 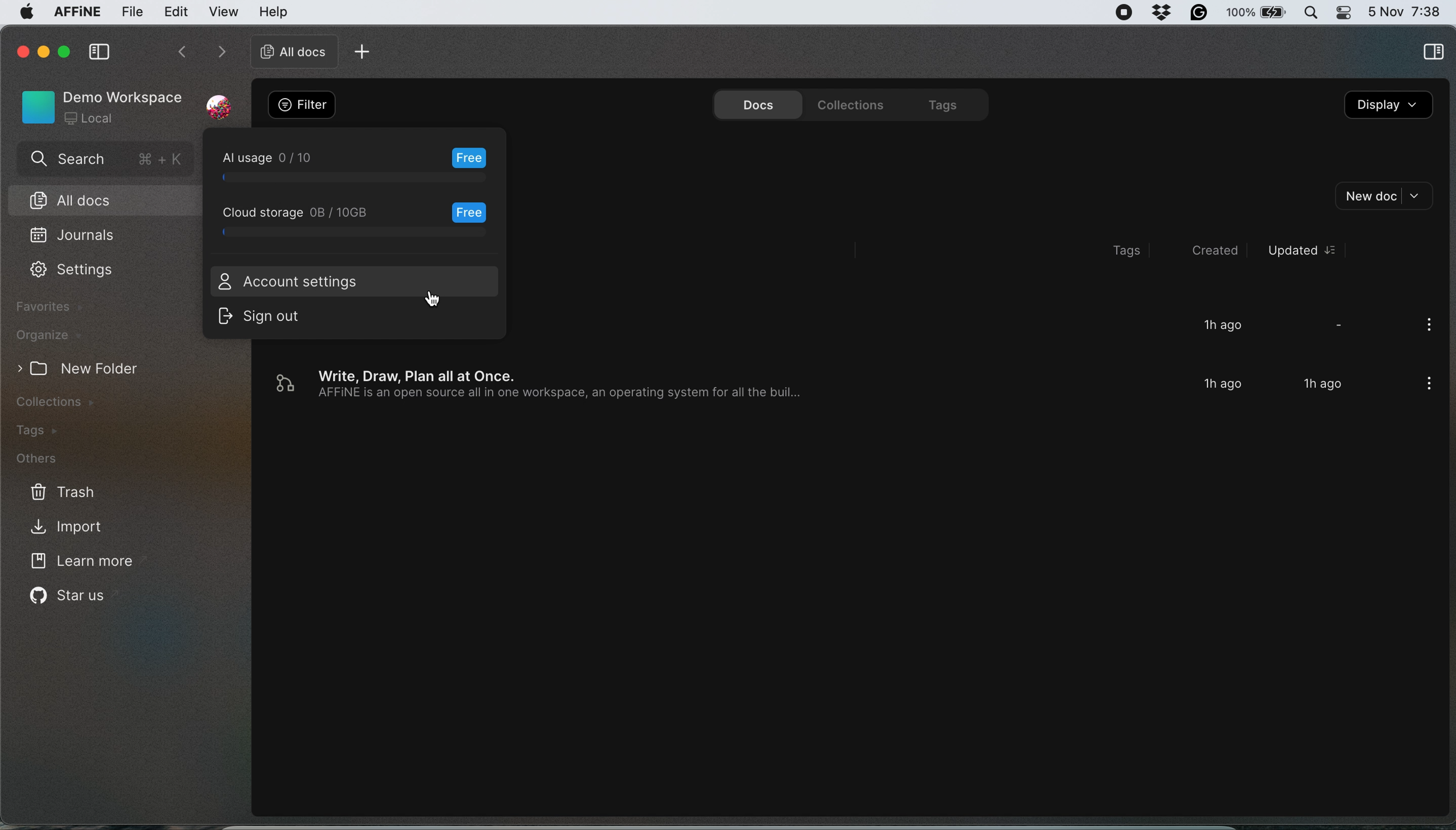 What do you see at coordinates (132, 13) in the screenshot?
I see `file` at bounding box center [132, 13].